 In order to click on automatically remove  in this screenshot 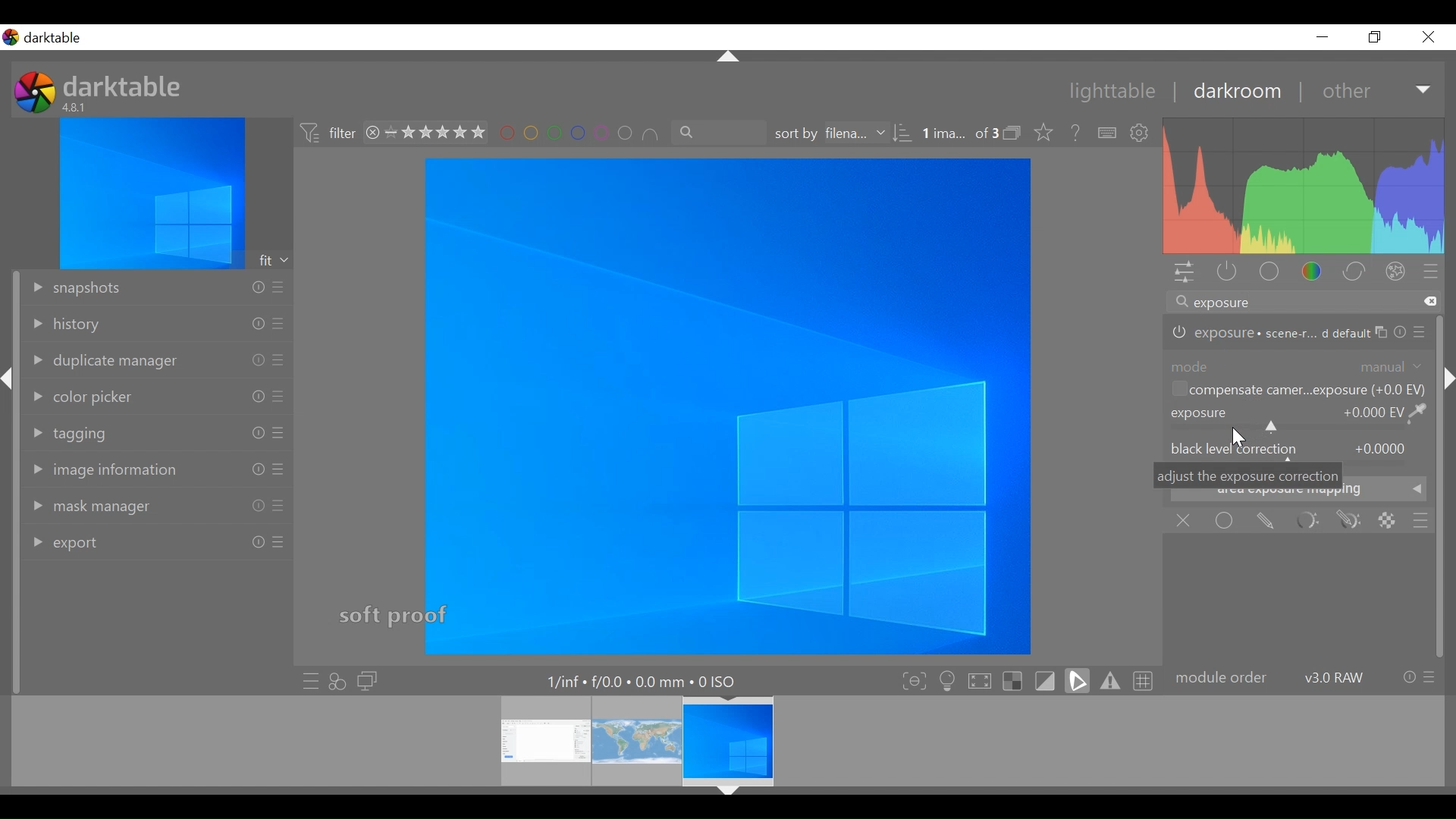, I will do `click(1311, 390)`.